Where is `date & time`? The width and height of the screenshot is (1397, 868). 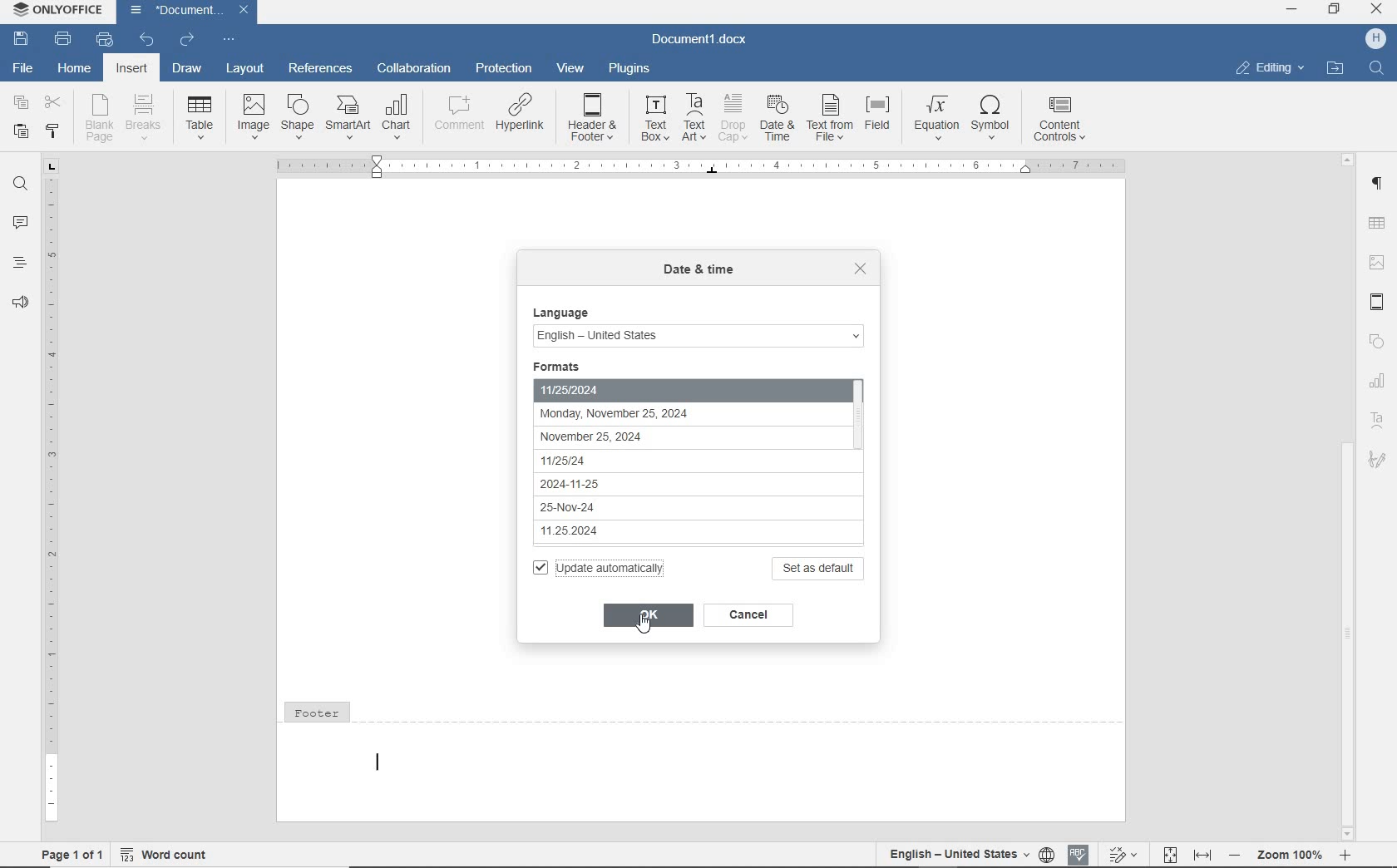 date & time is located at coordinates (698, 273).